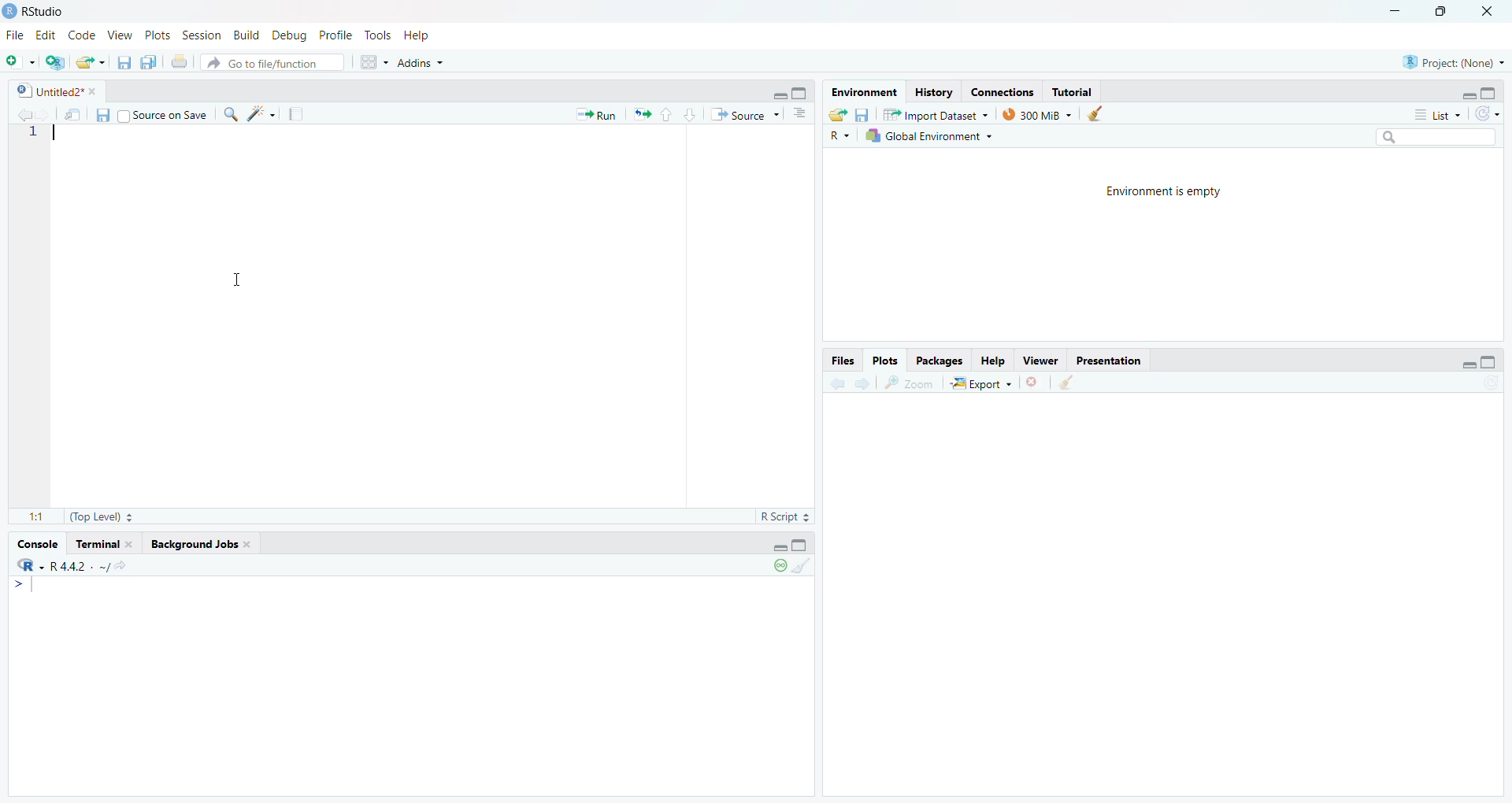 The image size is (1512, 803). What do you see at coordinates (1110, 361) in the screenshot?
I see `Presentation` at bounding box center [1110, 361].